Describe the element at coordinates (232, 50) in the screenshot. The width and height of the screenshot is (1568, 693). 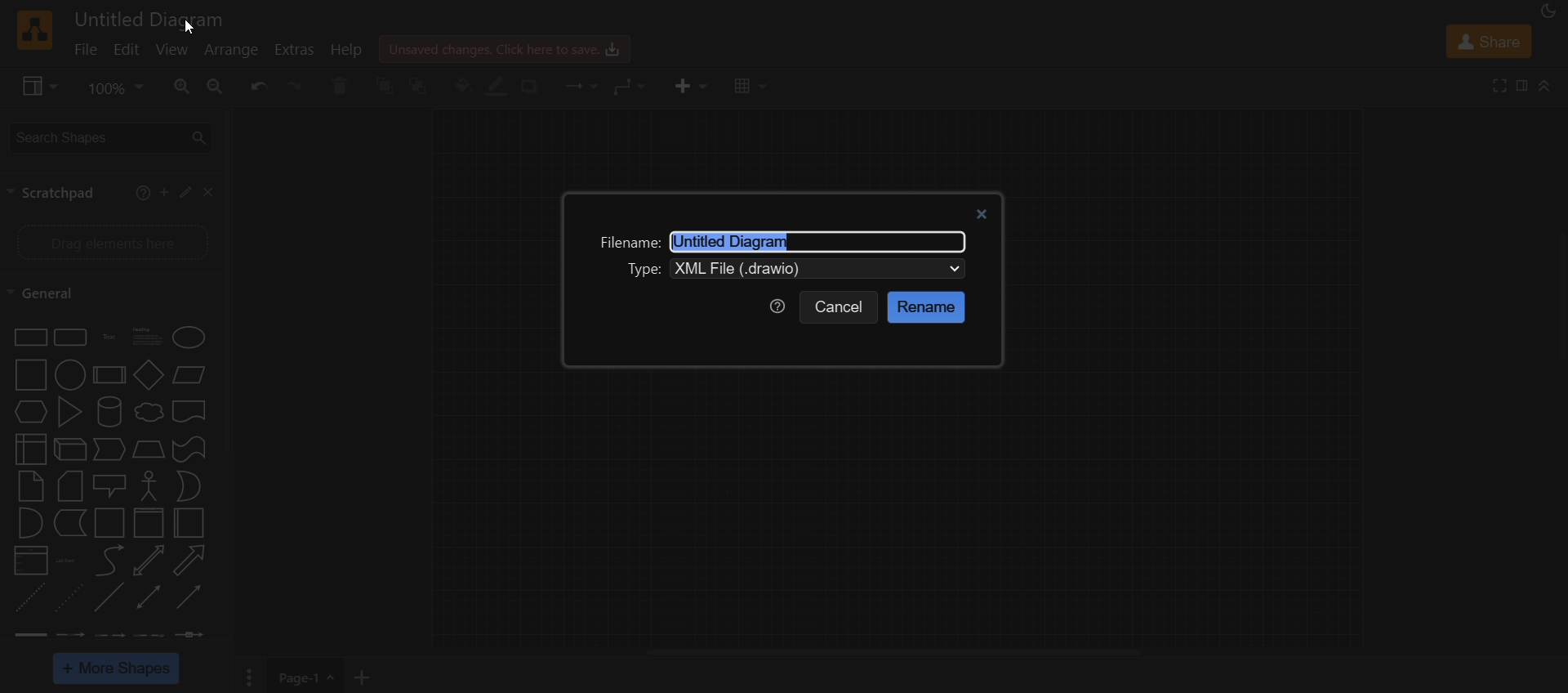
I see `arrange` at that location.